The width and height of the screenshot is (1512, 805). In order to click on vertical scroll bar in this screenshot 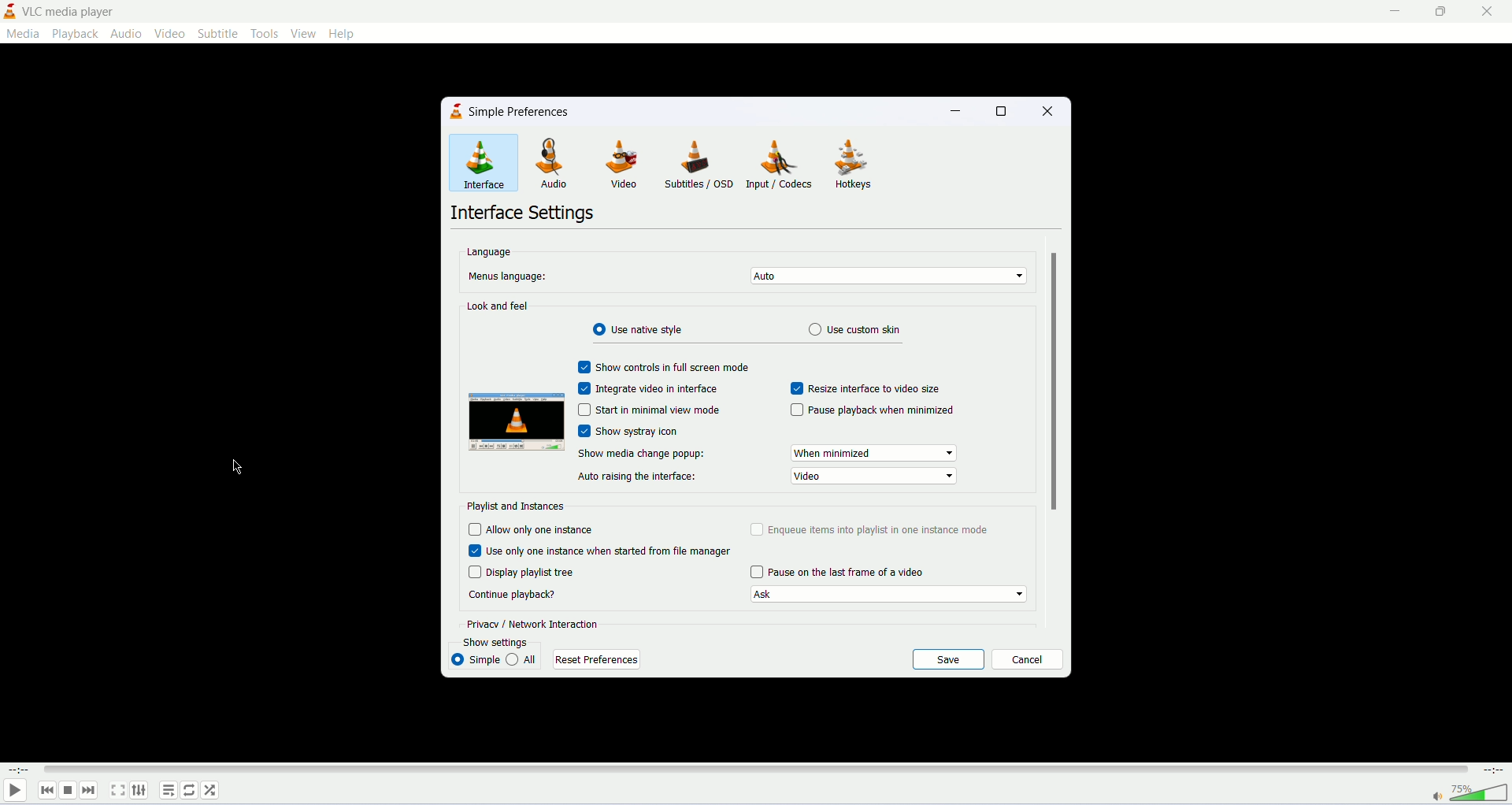, I will do `click(1054, 380)`.